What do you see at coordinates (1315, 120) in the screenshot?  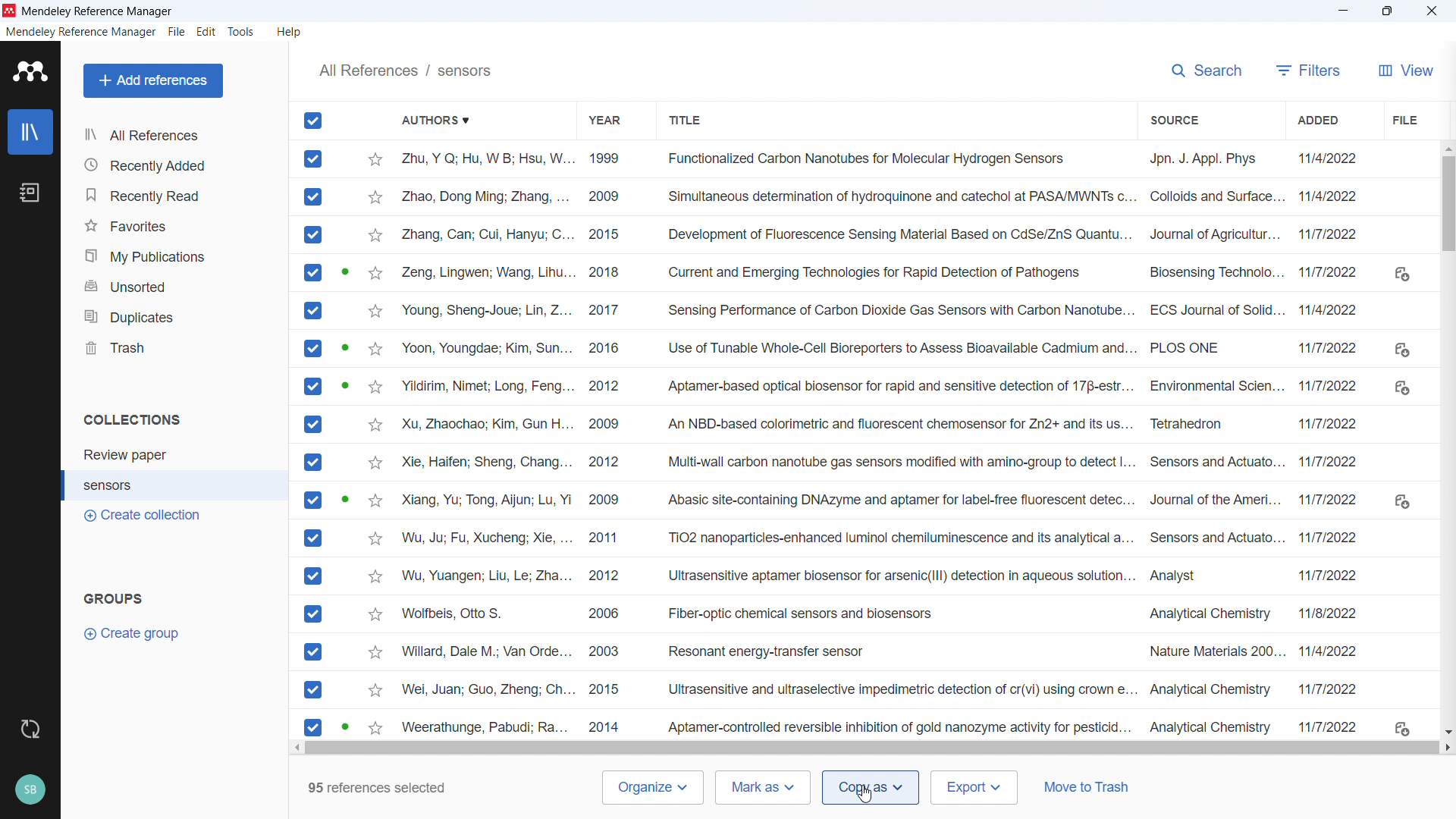 I see `Sort by date added` at bounding box center [1315, 120].